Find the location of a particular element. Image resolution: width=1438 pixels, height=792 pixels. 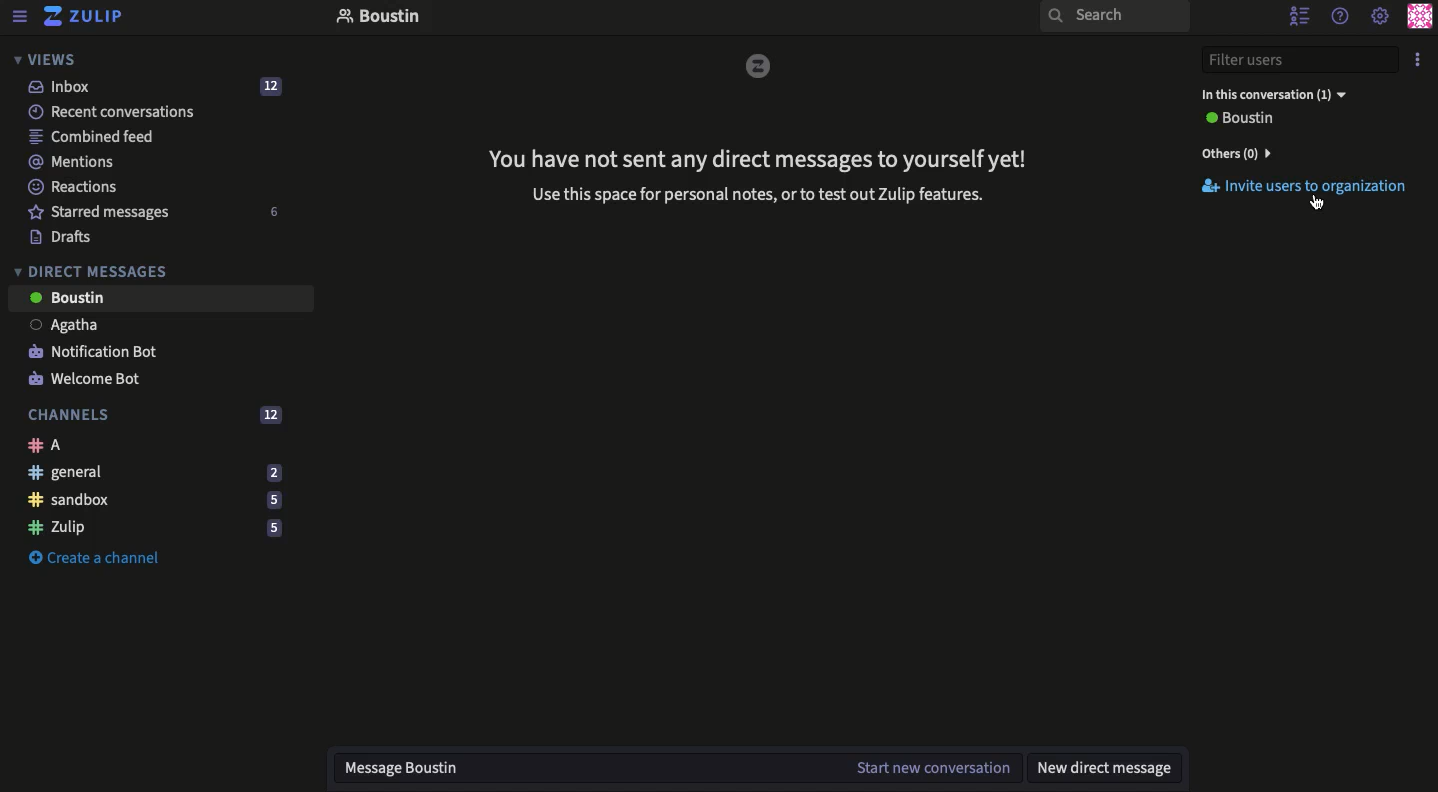

In this conversation is located at coordinates (1269, 94).